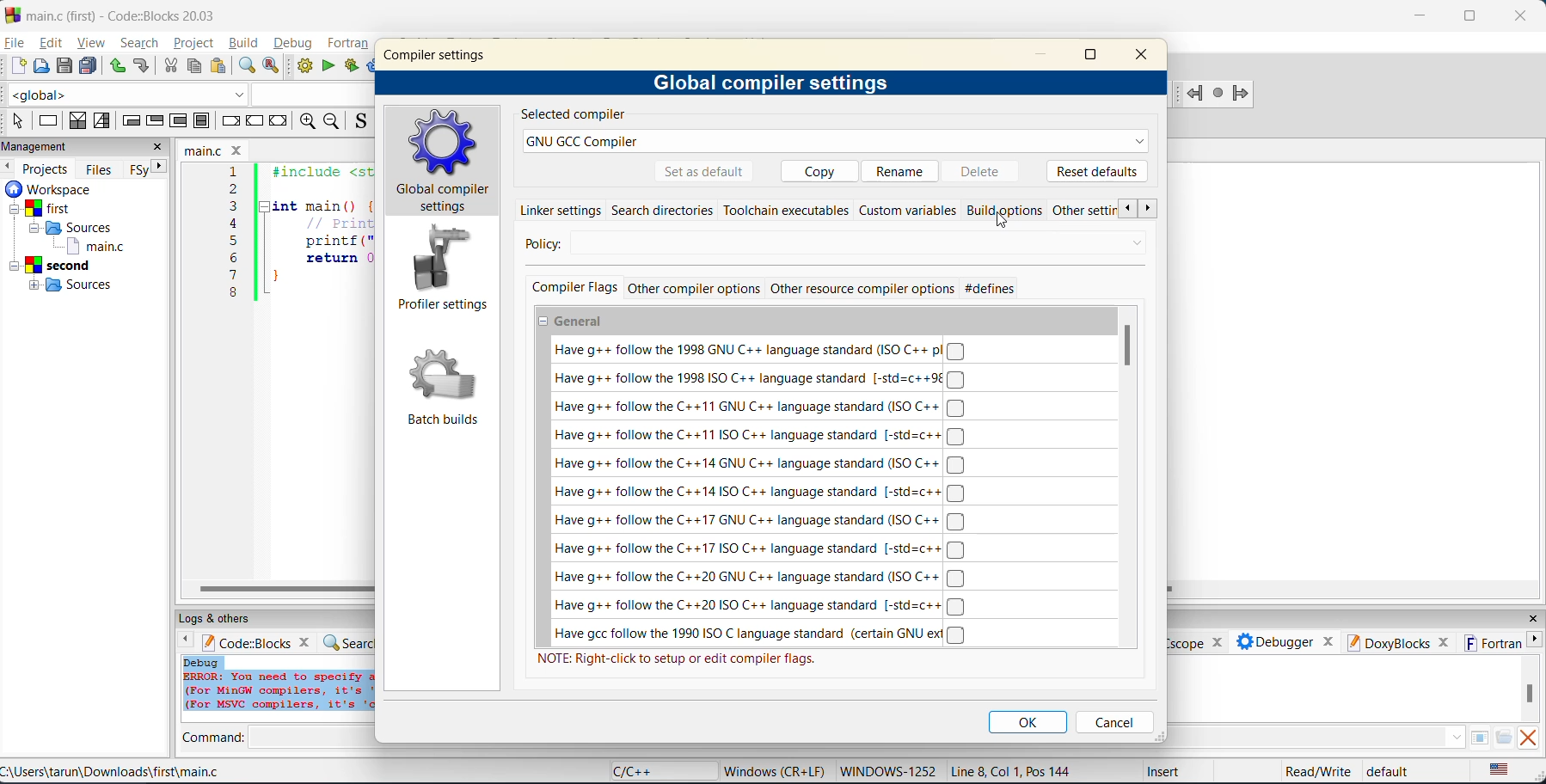  Describe the element at coordinates (574, 322) in the screenshot. I see `general` at that location.